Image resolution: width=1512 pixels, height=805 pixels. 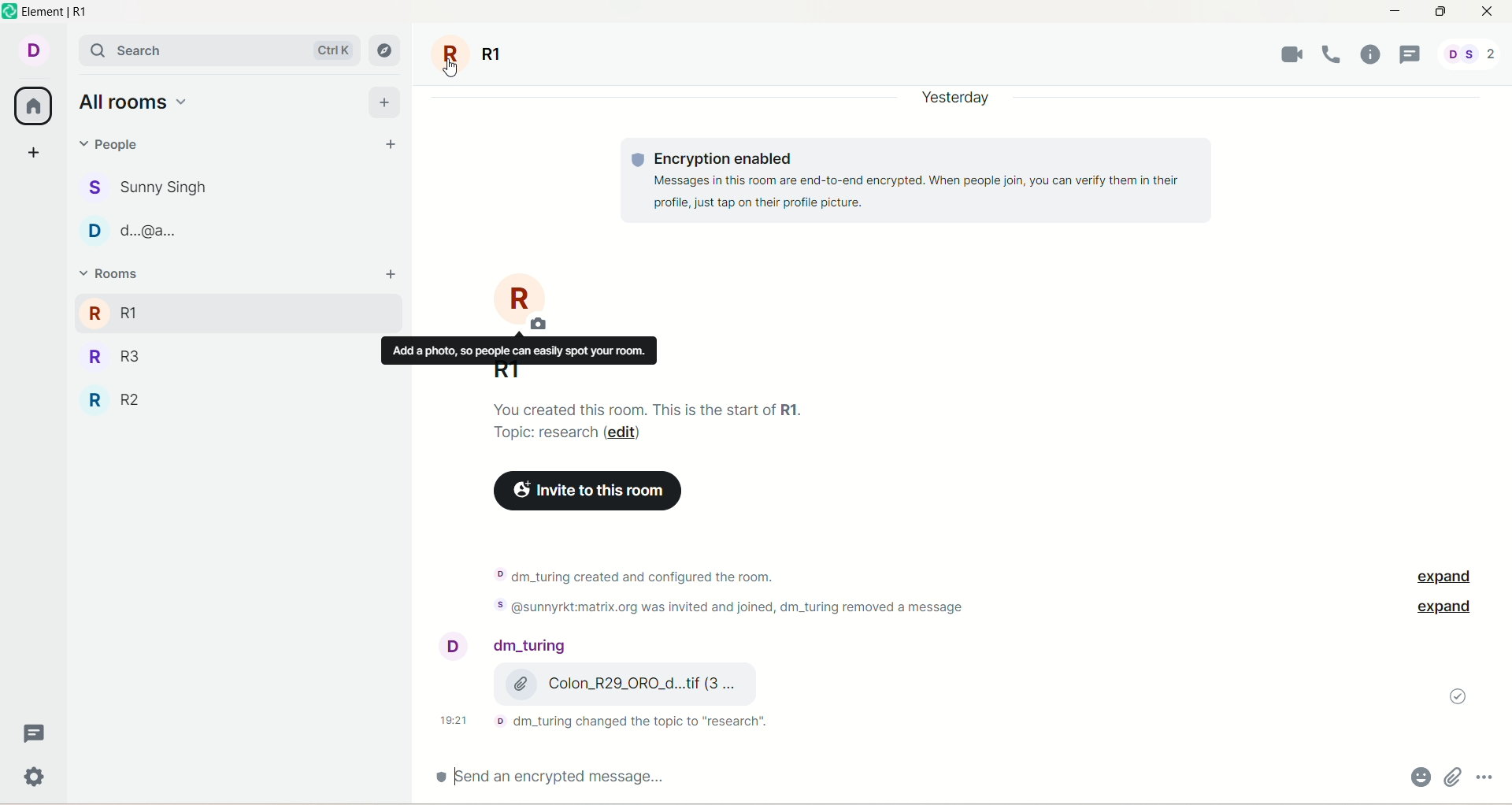 I want to click on all room, so click(x=31, y=107).